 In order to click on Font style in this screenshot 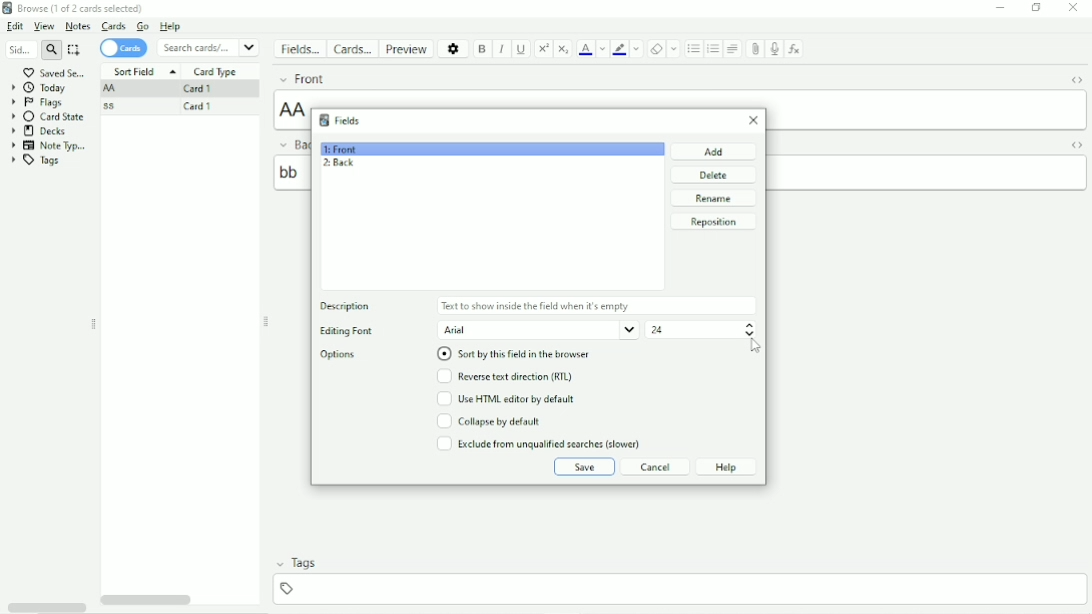, I will do `click(538, 330)`.